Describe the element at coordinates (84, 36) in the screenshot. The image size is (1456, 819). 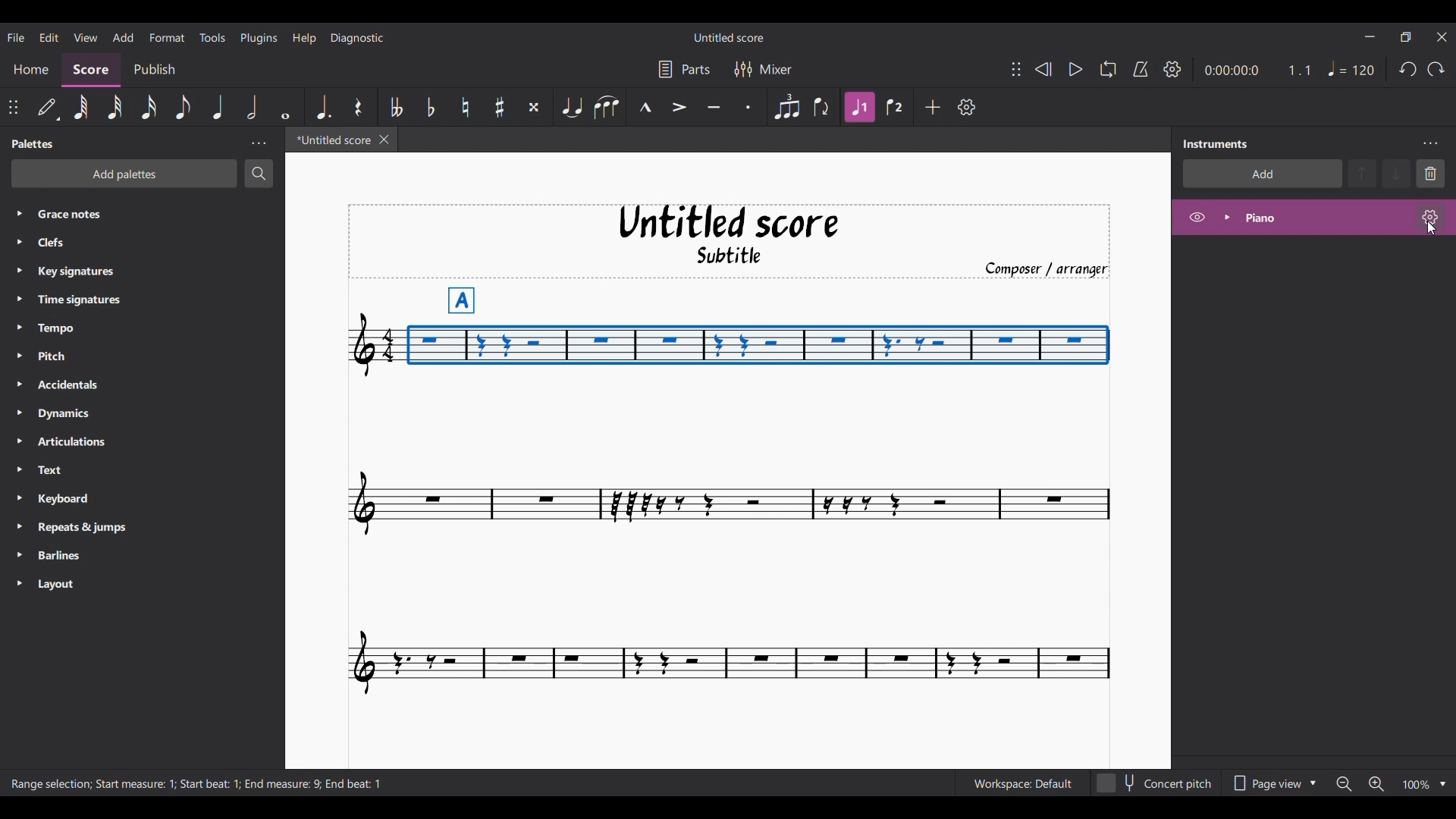
I see `View menu` at that location.